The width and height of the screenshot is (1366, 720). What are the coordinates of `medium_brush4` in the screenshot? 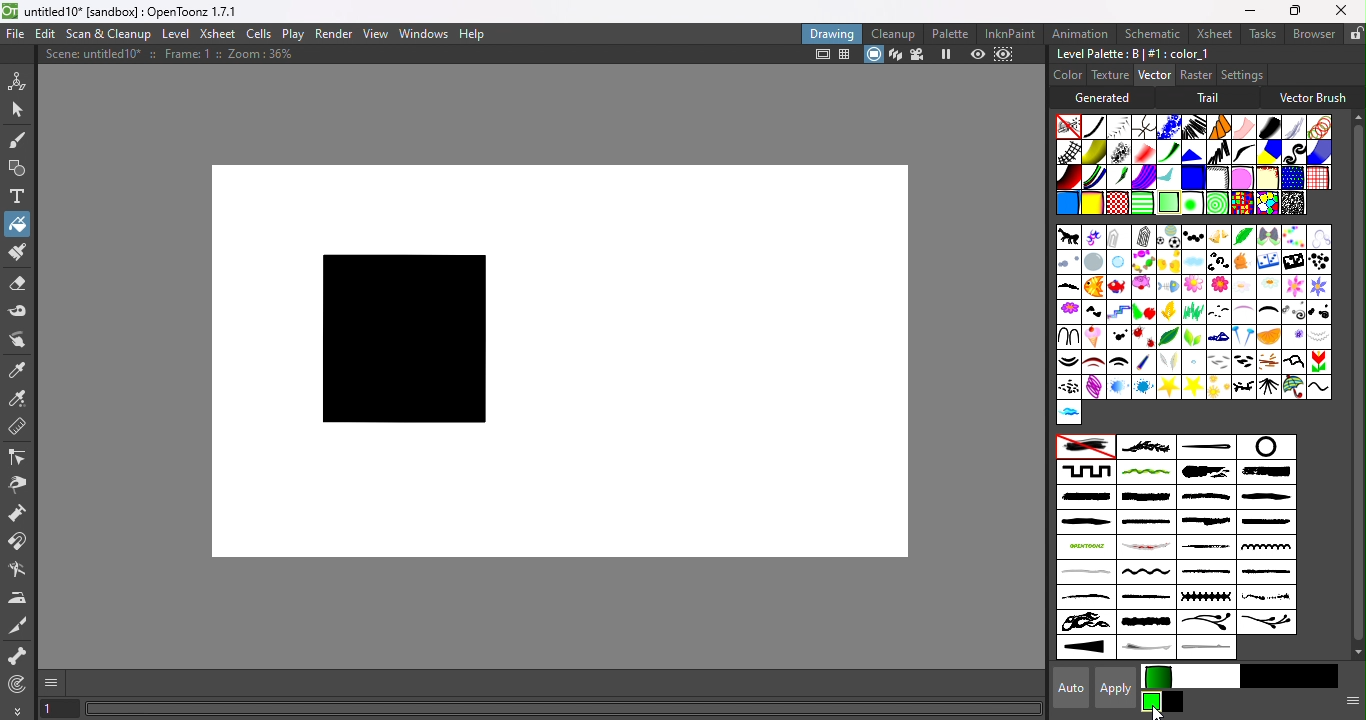 It's located at (1146, 523).